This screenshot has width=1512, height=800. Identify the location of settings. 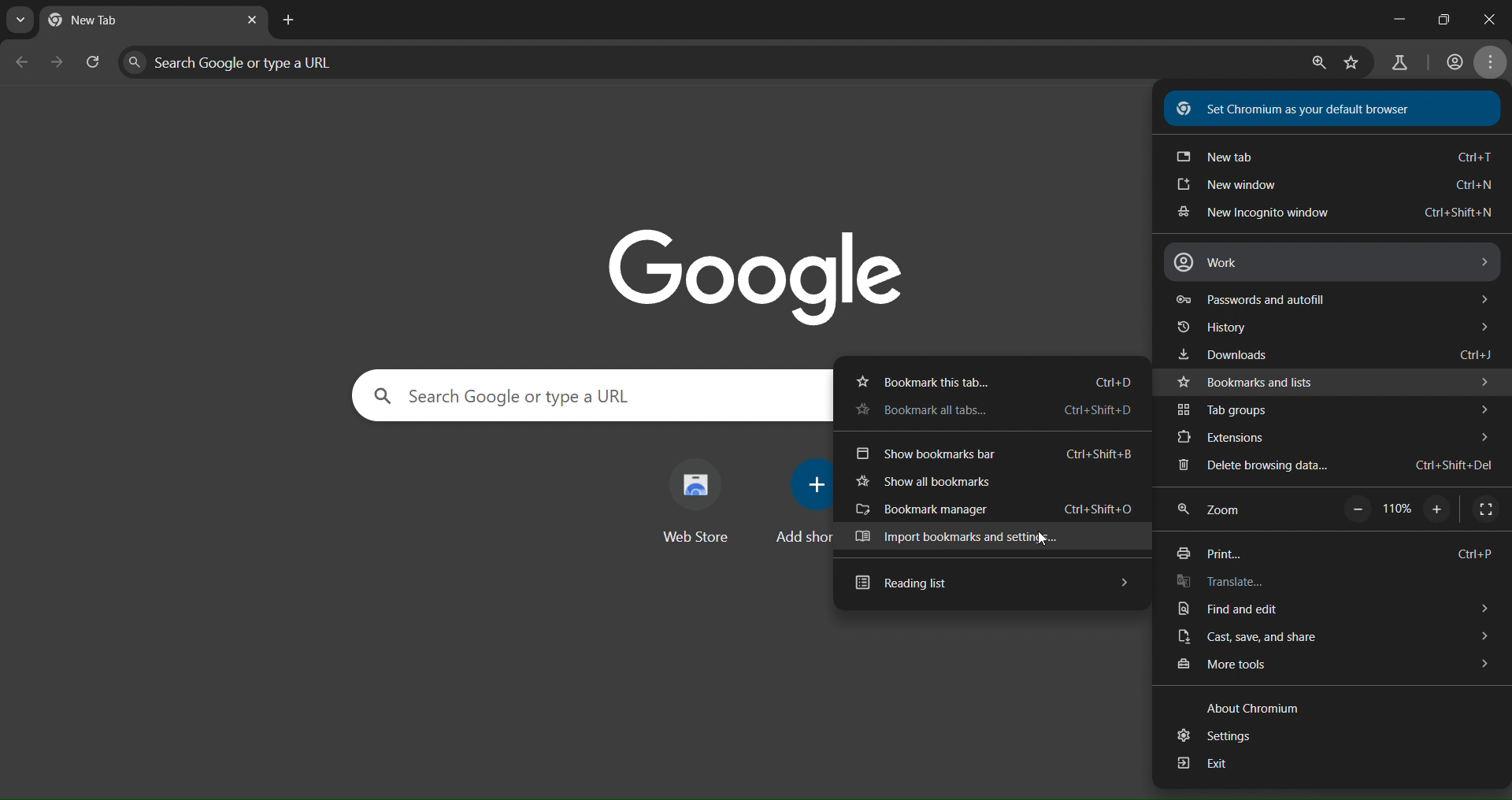
(1221, 736).